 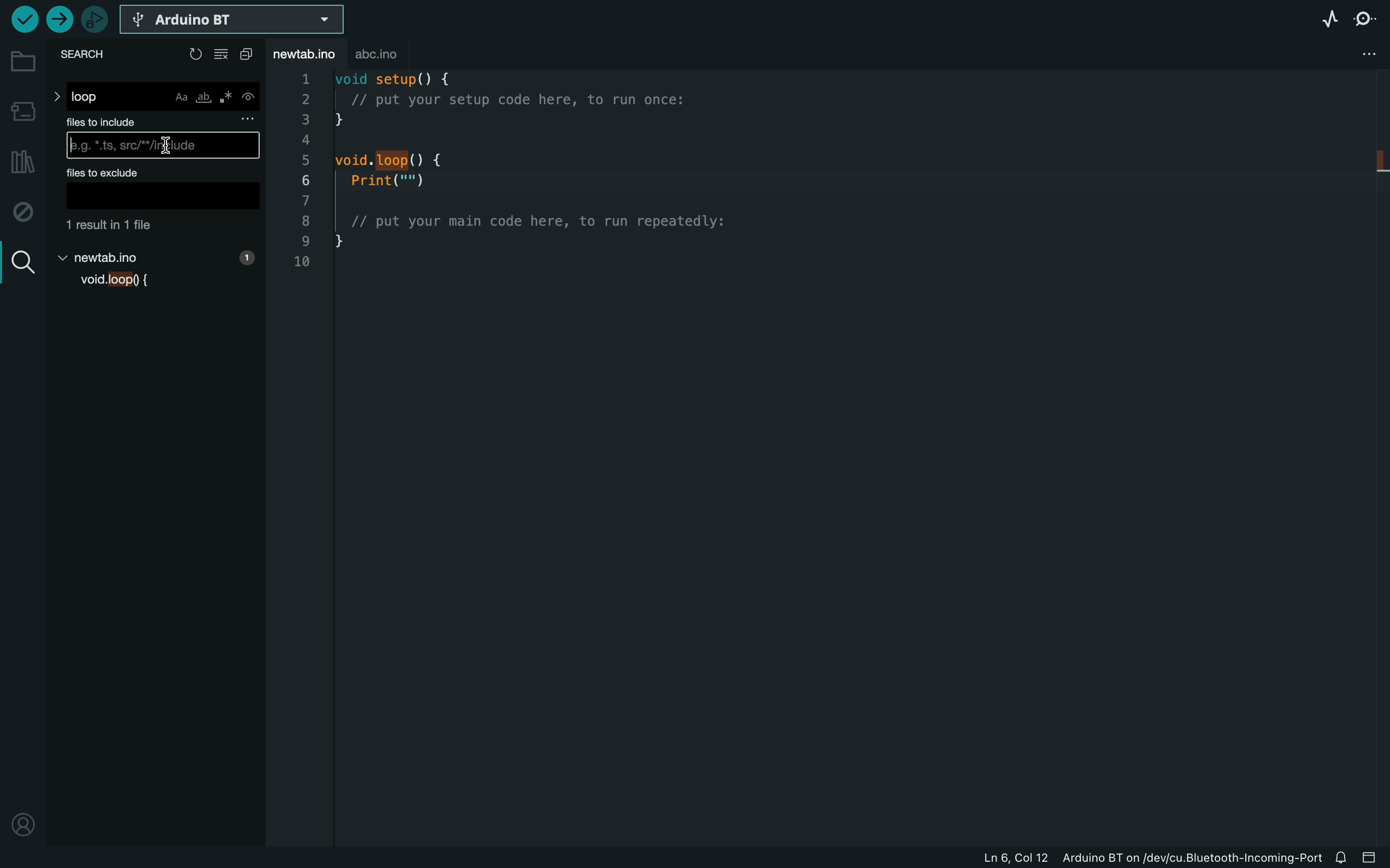 What do you see at coordinates (1371, 856) in the screenshot?
I see `close slide bar` at bounding box center [1371, 856].